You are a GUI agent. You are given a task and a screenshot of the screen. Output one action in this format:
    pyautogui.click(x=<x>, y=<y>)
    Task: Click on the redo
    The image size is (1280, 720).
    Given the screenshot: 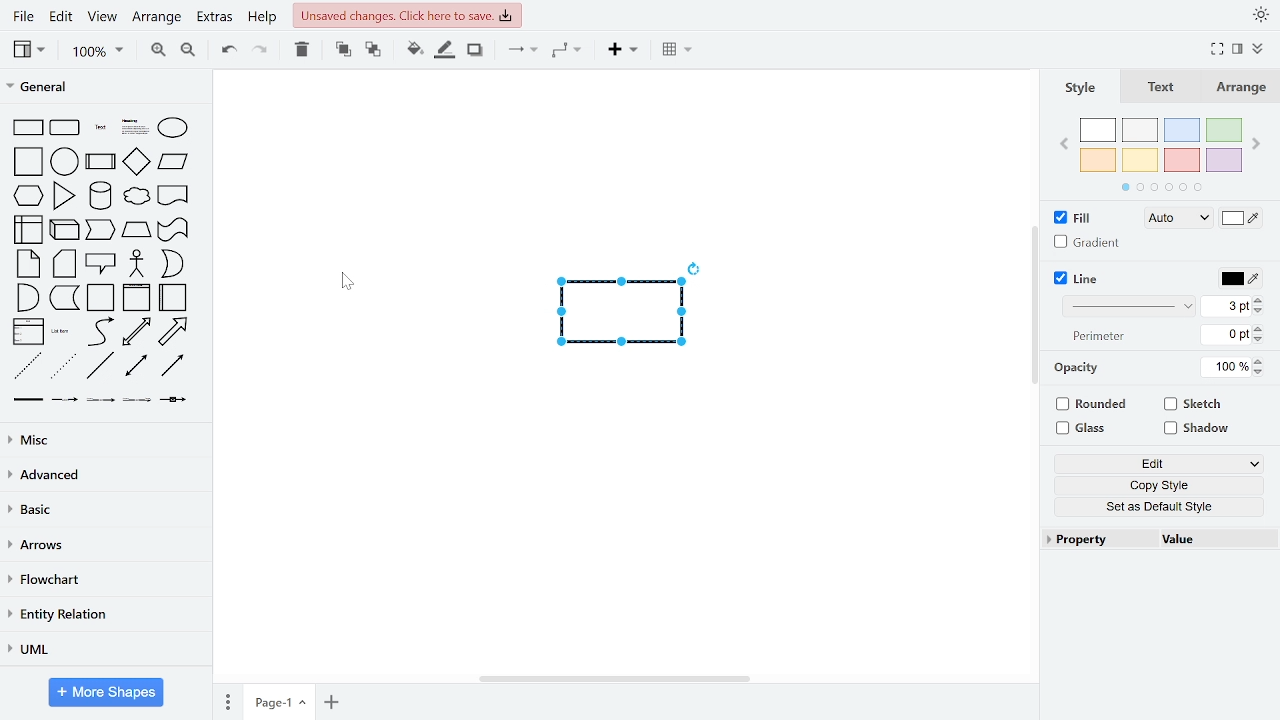 What is the action you would take?
    pyautogui.click(x=262, y=53)
    